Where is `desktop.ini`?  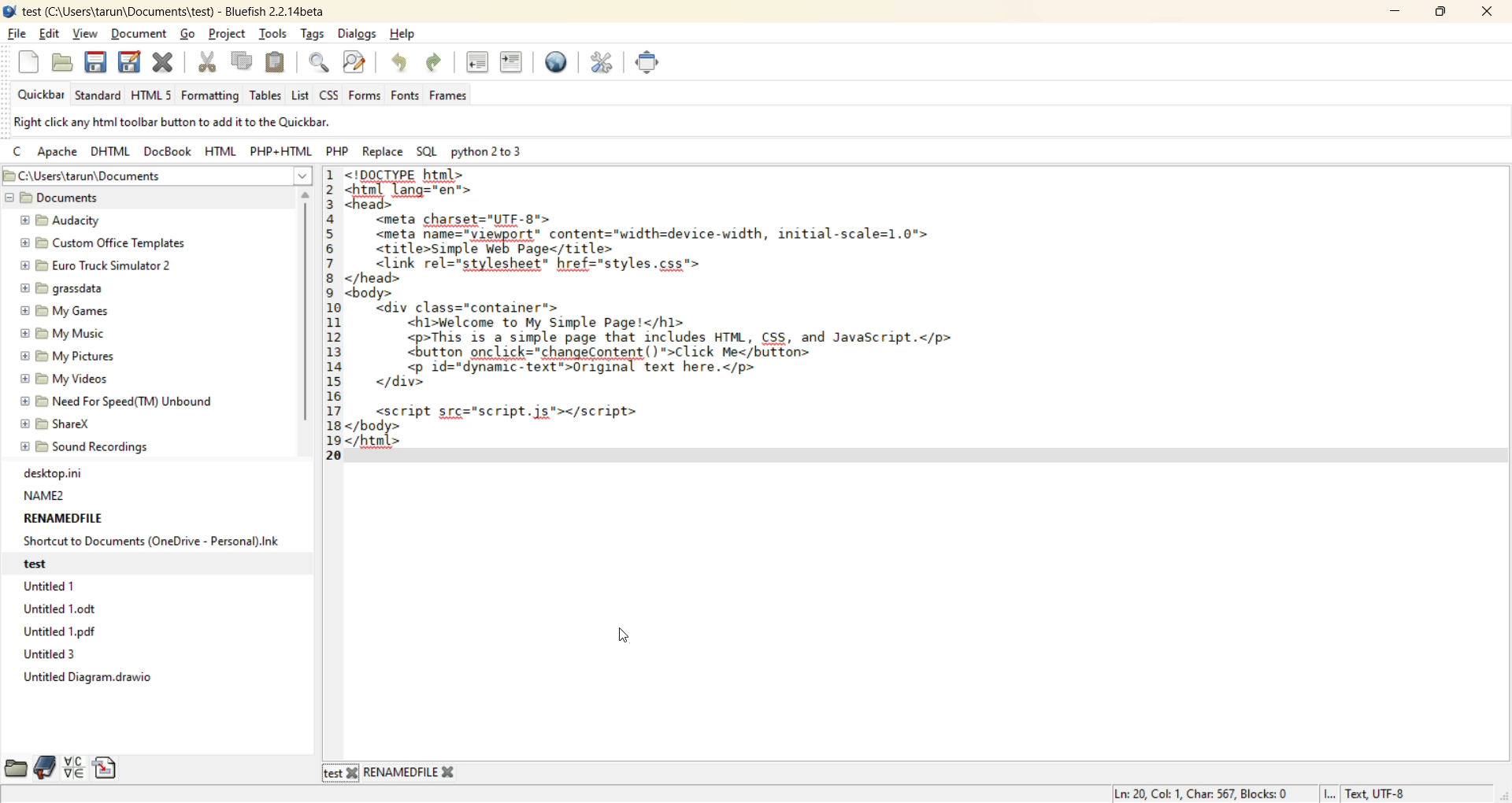
desktop.ini is located at coordinates (58, 471).